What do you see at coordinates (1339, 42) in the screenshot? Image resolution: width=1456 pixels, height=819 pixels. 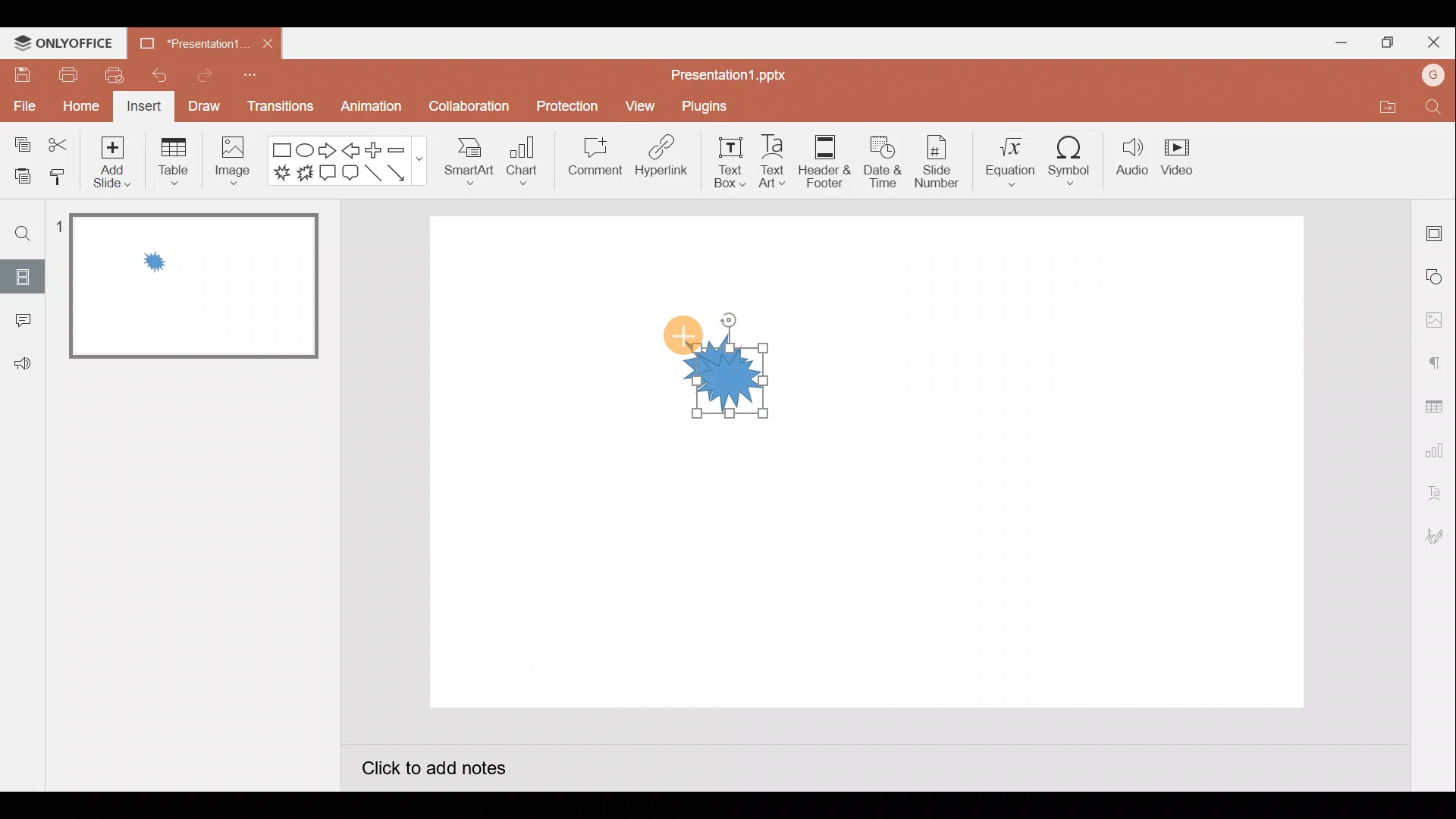 I see `Minimize` at bounding box center [1339, 42].